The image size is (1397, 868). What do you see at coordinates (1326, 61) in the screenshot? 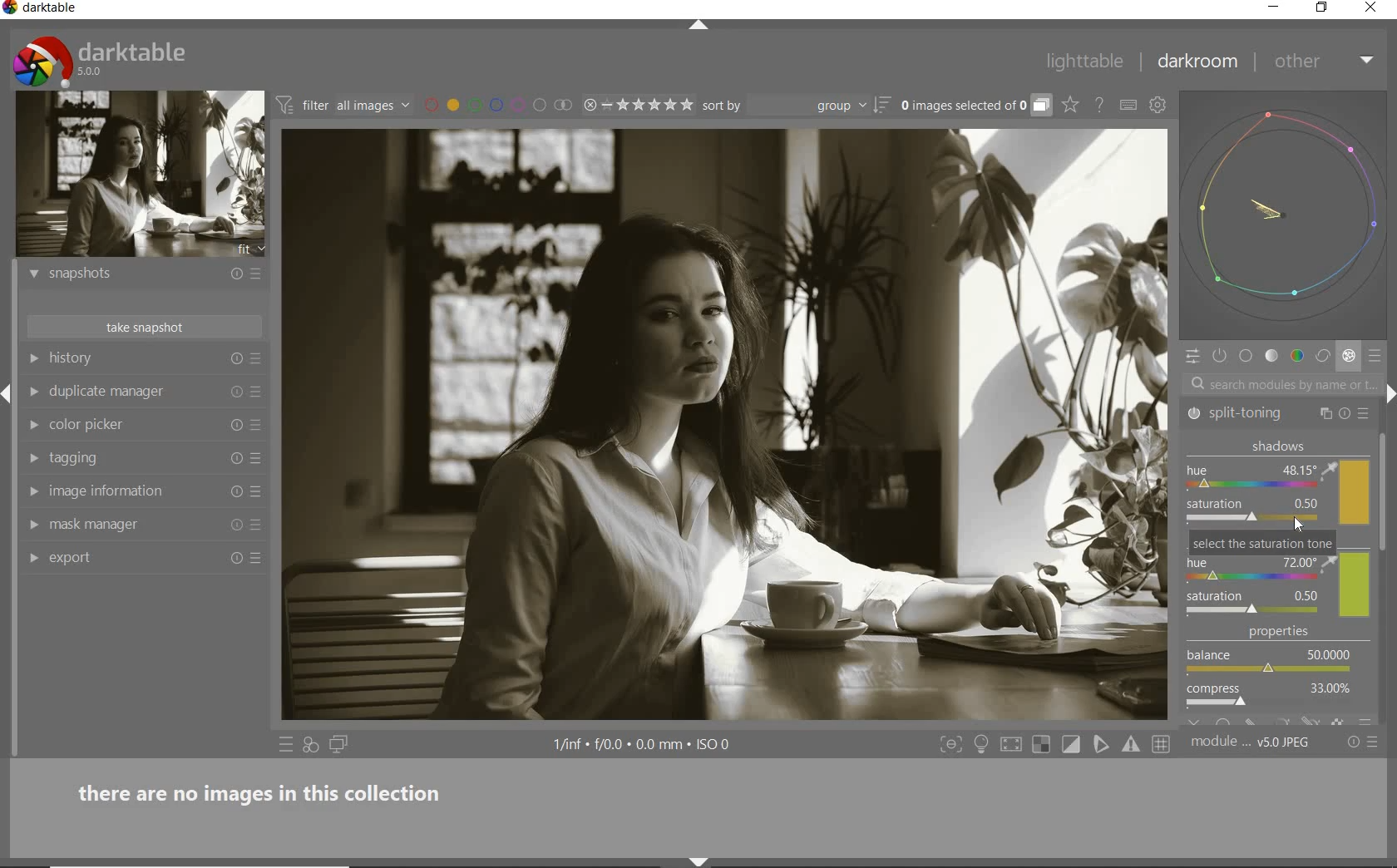
I see `other` at bounding box center [1326, 61].